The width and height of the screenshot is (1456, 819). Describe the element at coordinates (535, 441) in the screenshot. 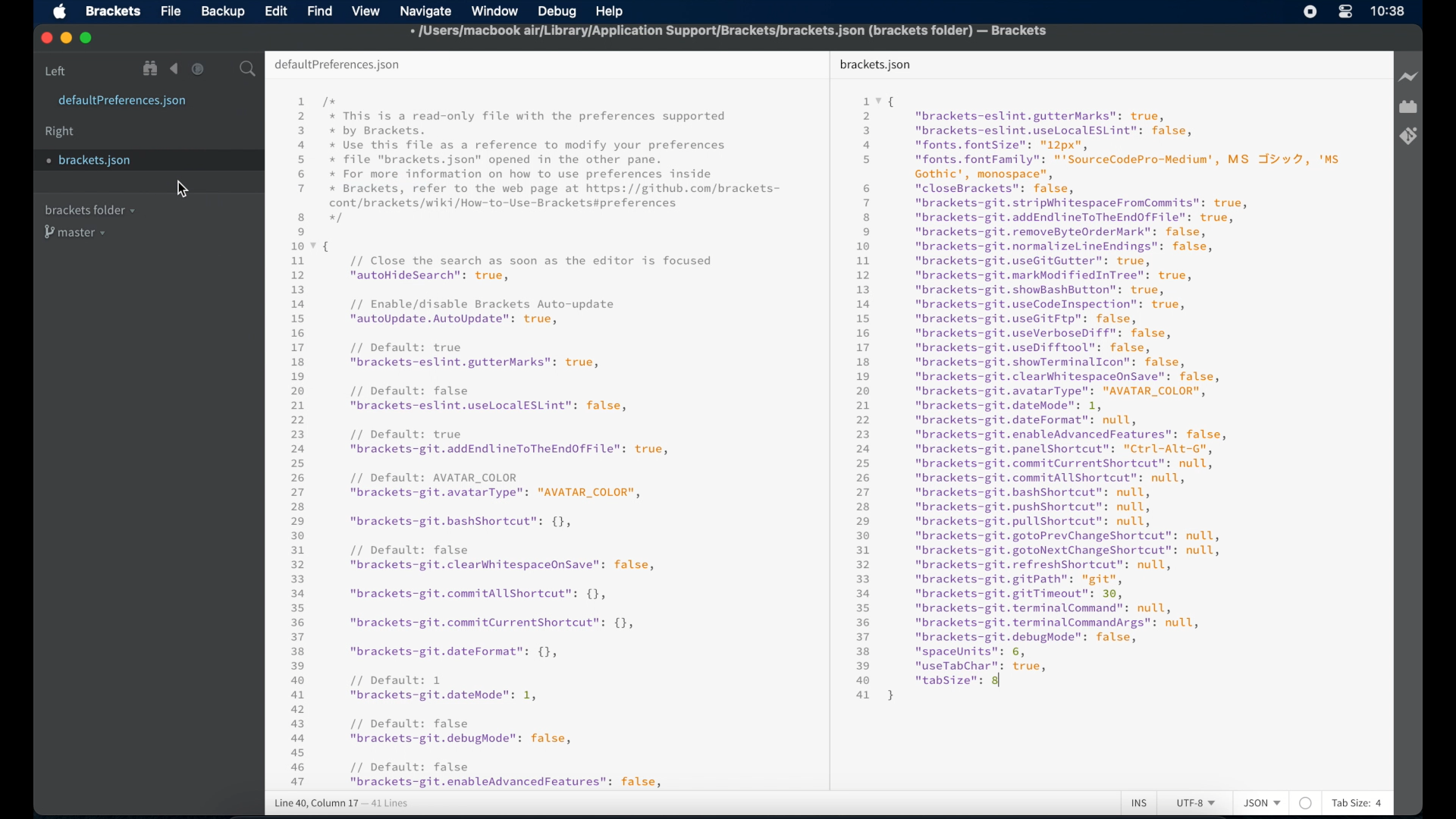

I see `json syntax` at that location.